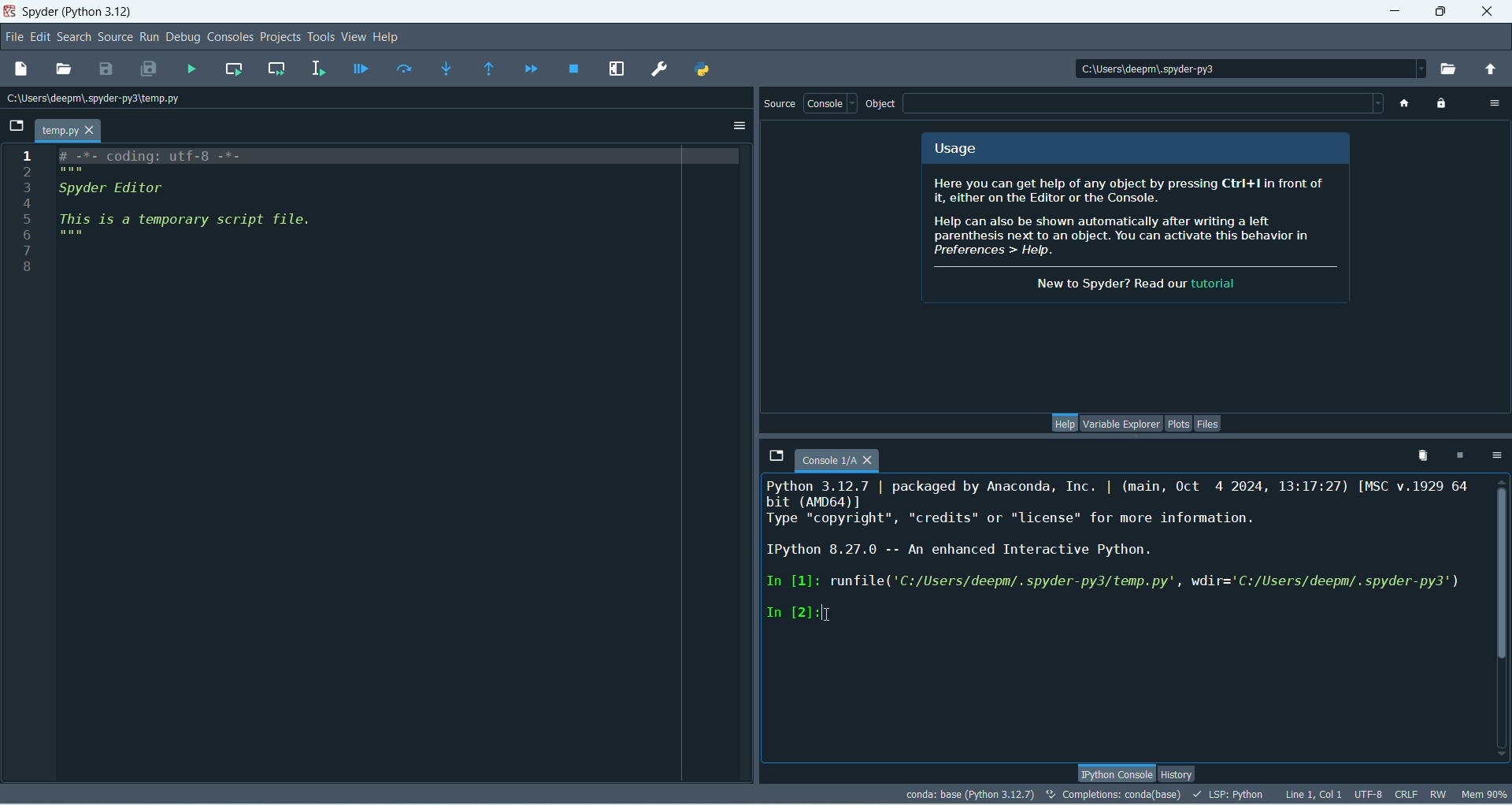 The image size is (1512, 805). Describe the element at coordinates (1115, 771) in the screenshot. I see `Ipython console` at that location.